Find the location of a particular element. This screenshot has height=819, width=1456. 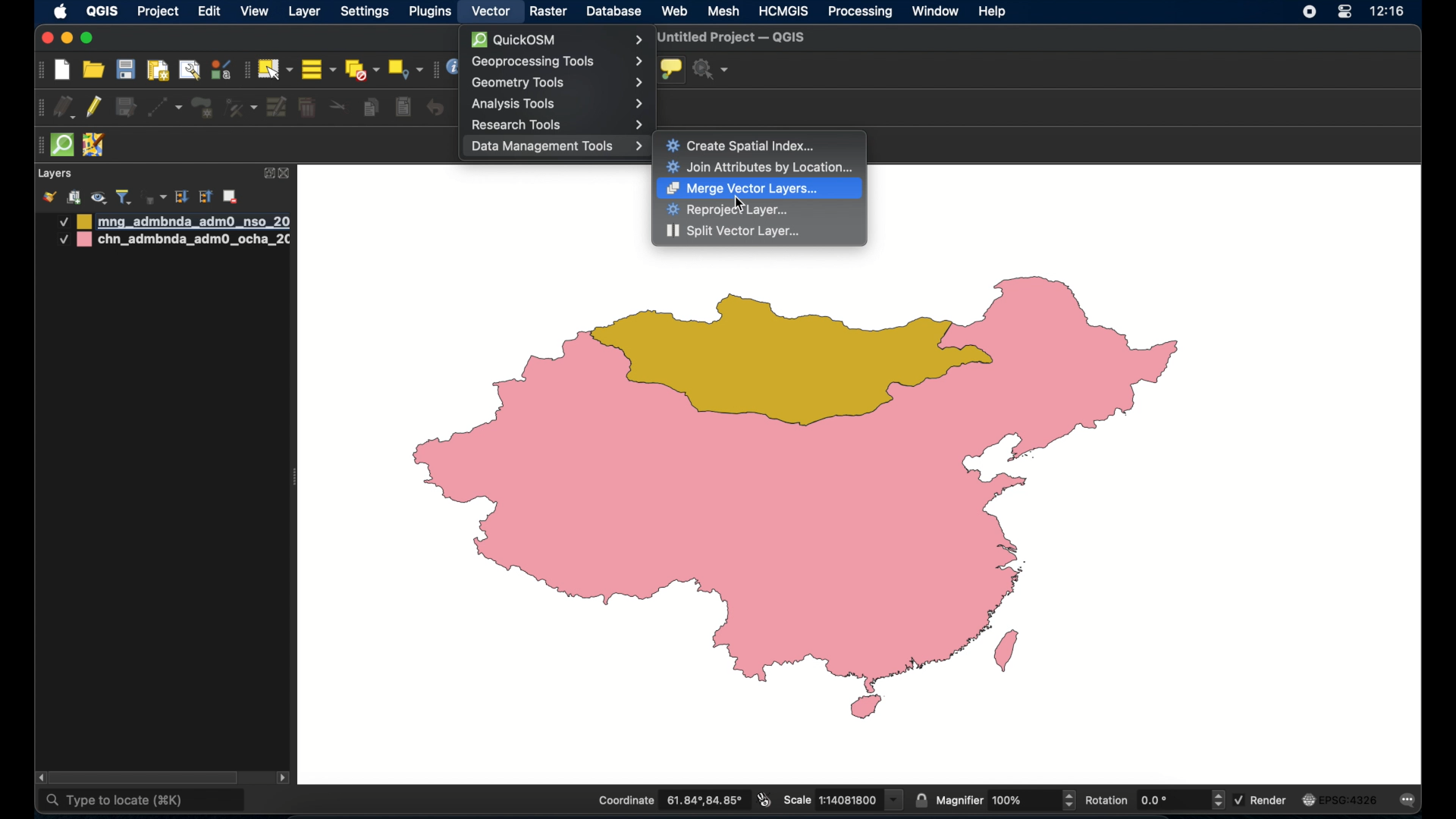

screen recorder icon is located at coordinates (1307, 12).